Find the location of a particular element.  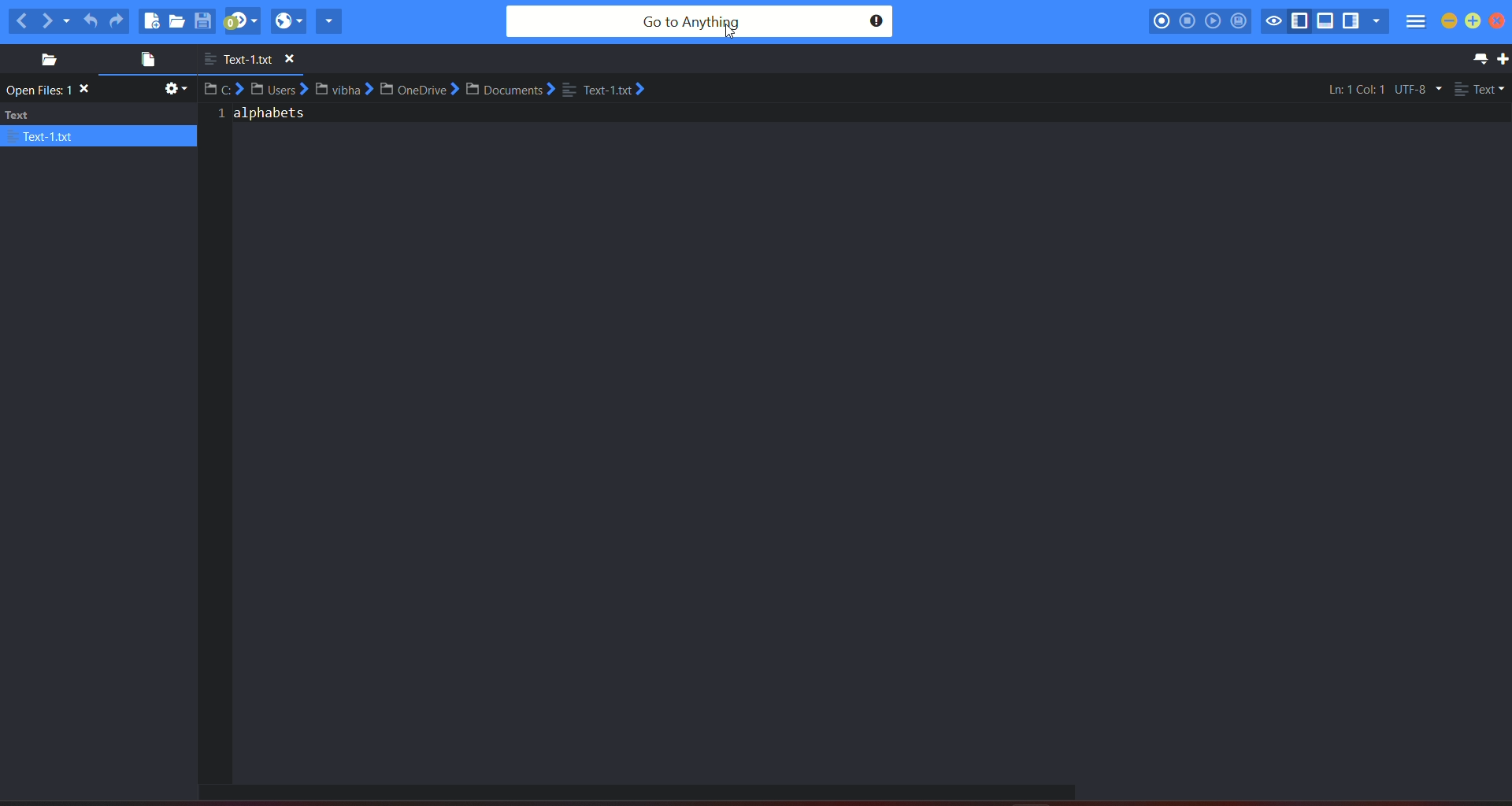

save file is located at coordinates (205, 20).